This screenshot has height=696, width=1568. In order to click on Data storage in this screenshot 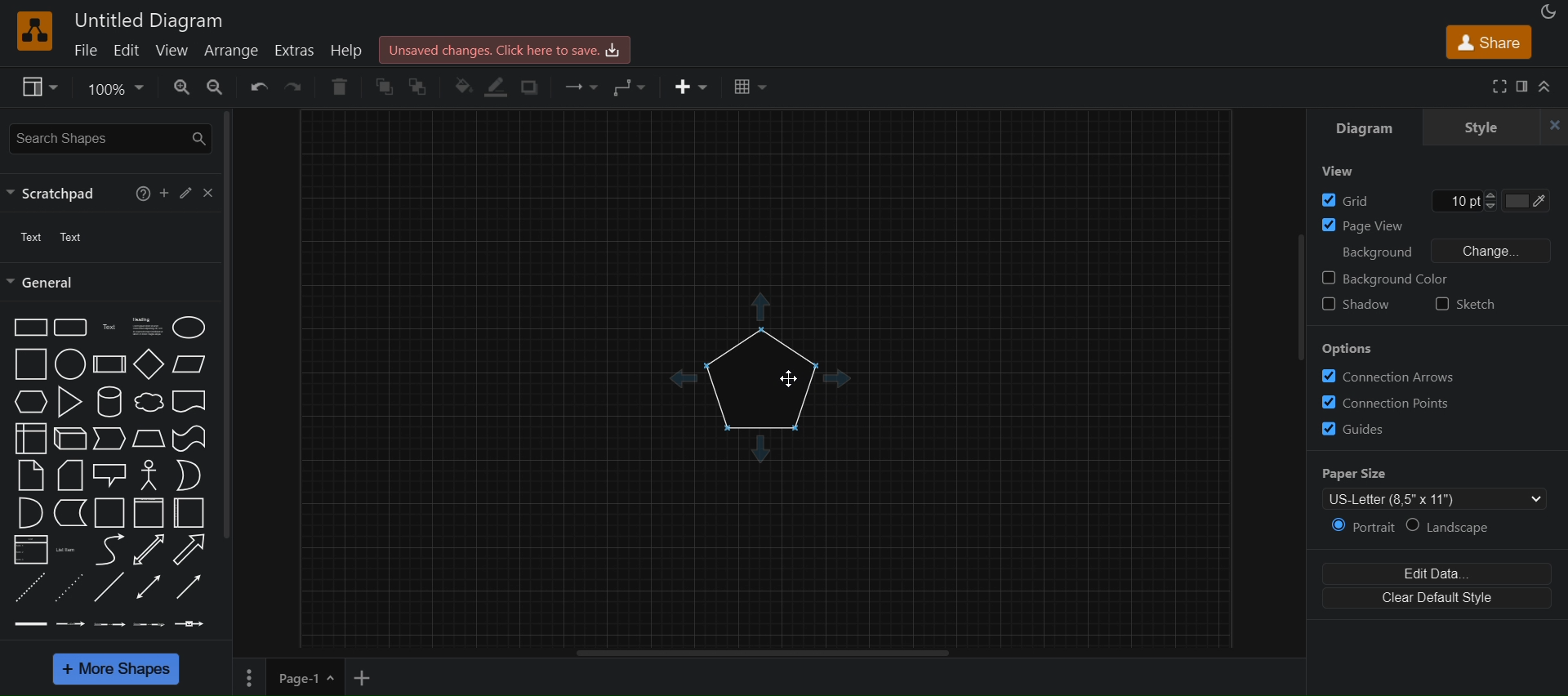, I will do `click(70, 513)`.